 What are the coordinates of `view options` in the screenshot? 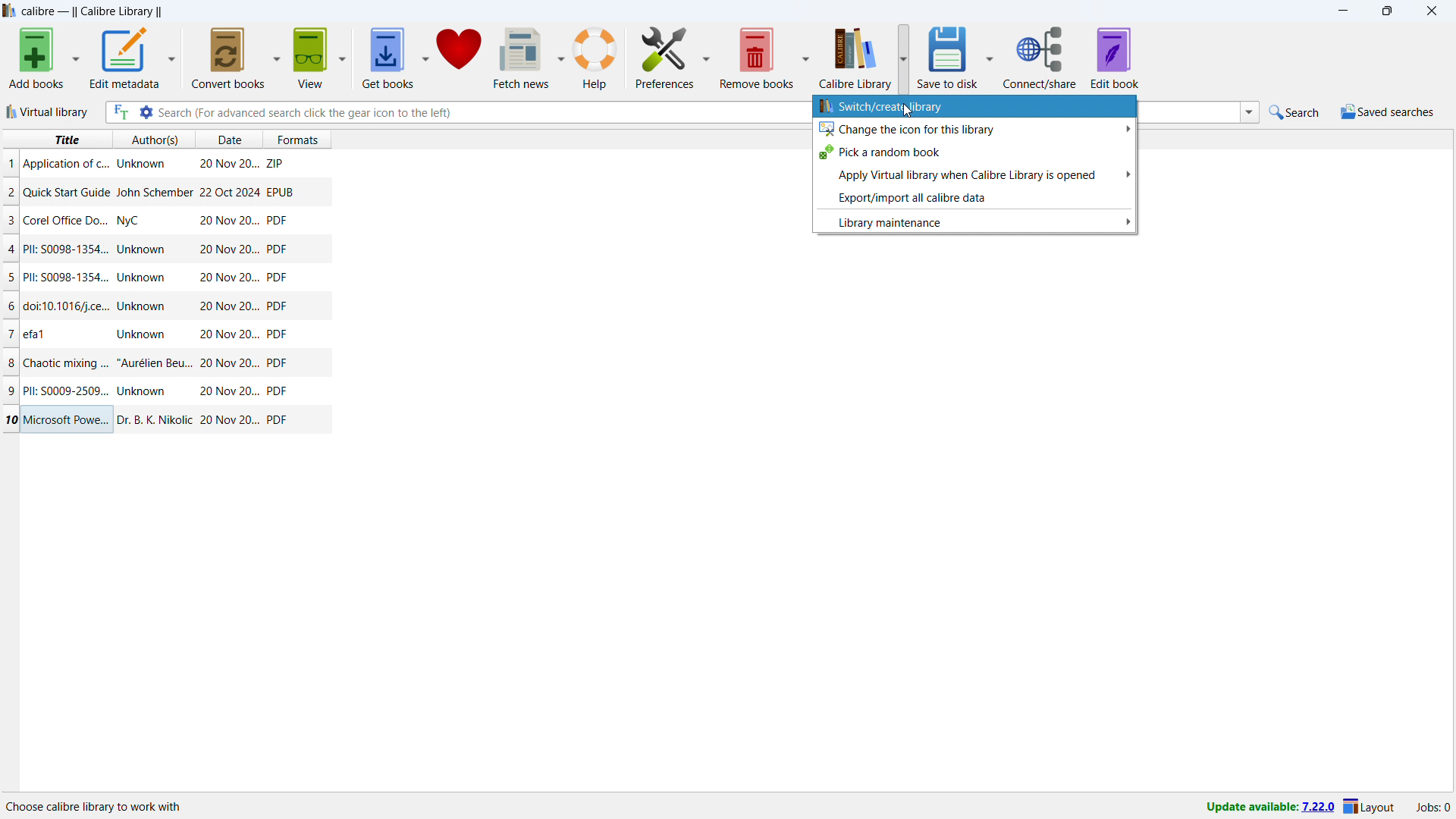 It's located at (344, 58).